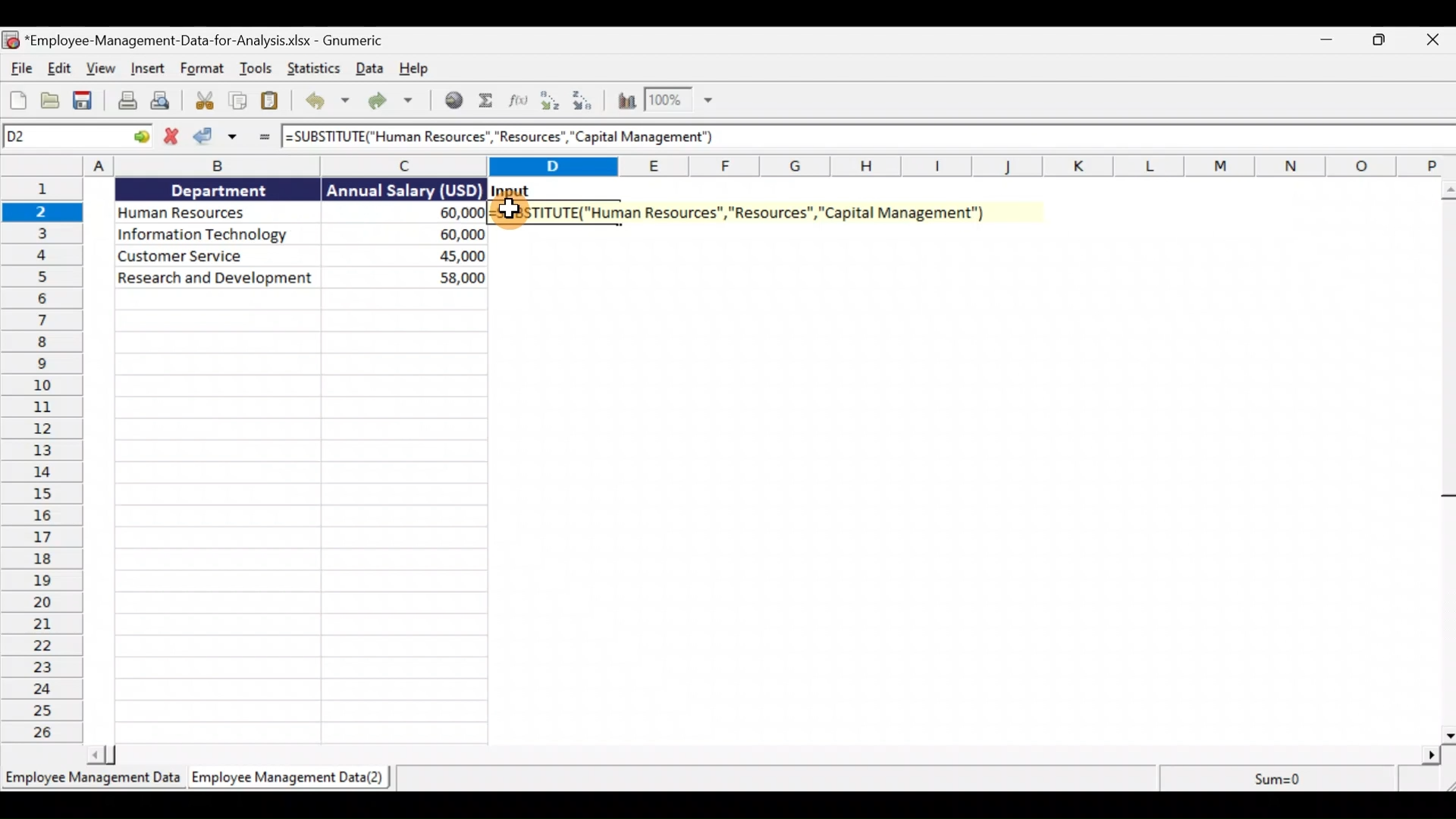 This screenshot has width=1456, height=819. What do you see at coordinates (453, 102) in the screenshot?
I see `Insert hyperlink` at bounding box center [453, 102].